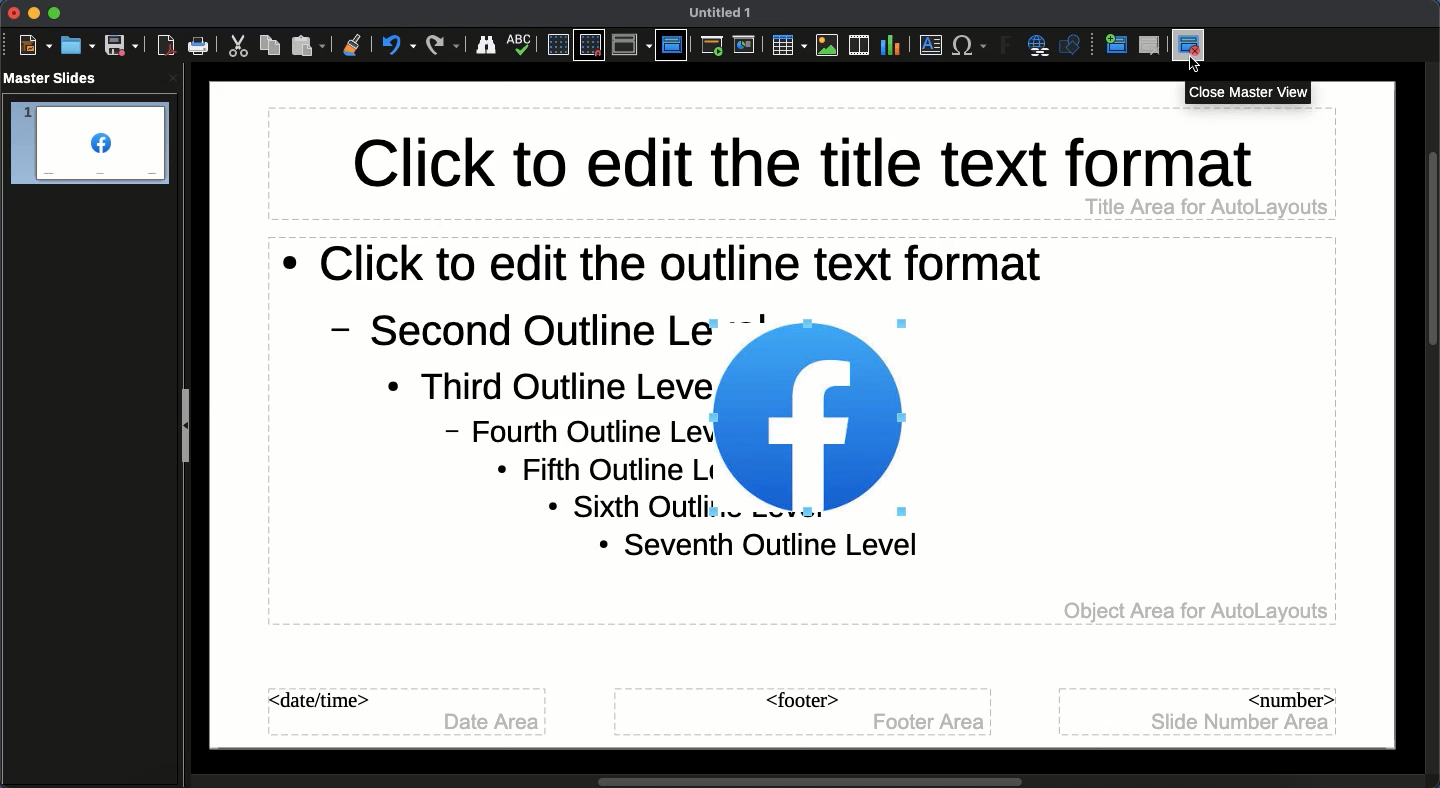 This screenshot has height=788, width=1440. Describe the element at coordinates (716, 12) in the screenshot. I see `Name` at that location.